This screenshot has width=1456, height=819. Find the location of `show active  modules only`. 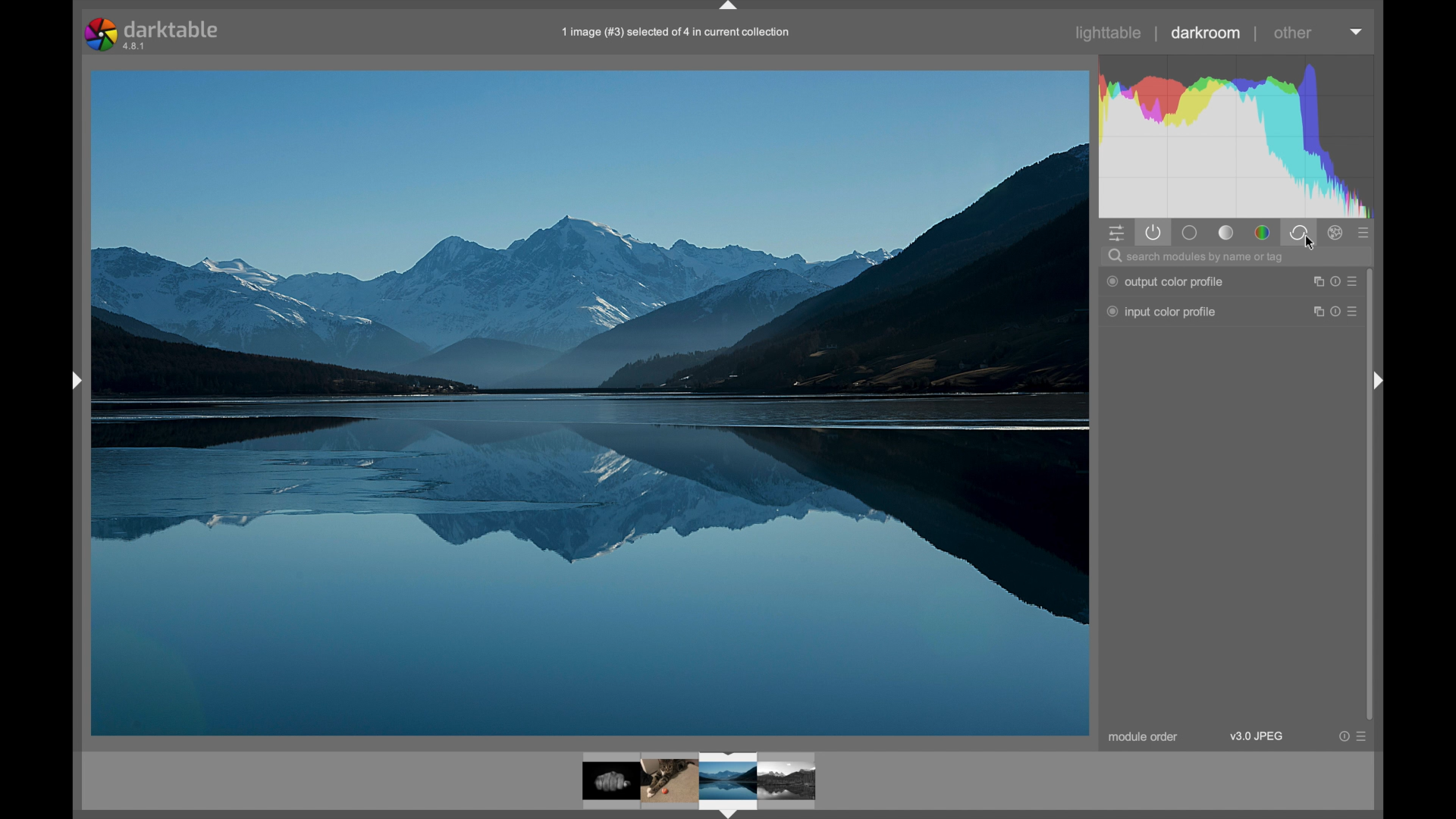

show active  modules only is located at coordinates (1154, 233).